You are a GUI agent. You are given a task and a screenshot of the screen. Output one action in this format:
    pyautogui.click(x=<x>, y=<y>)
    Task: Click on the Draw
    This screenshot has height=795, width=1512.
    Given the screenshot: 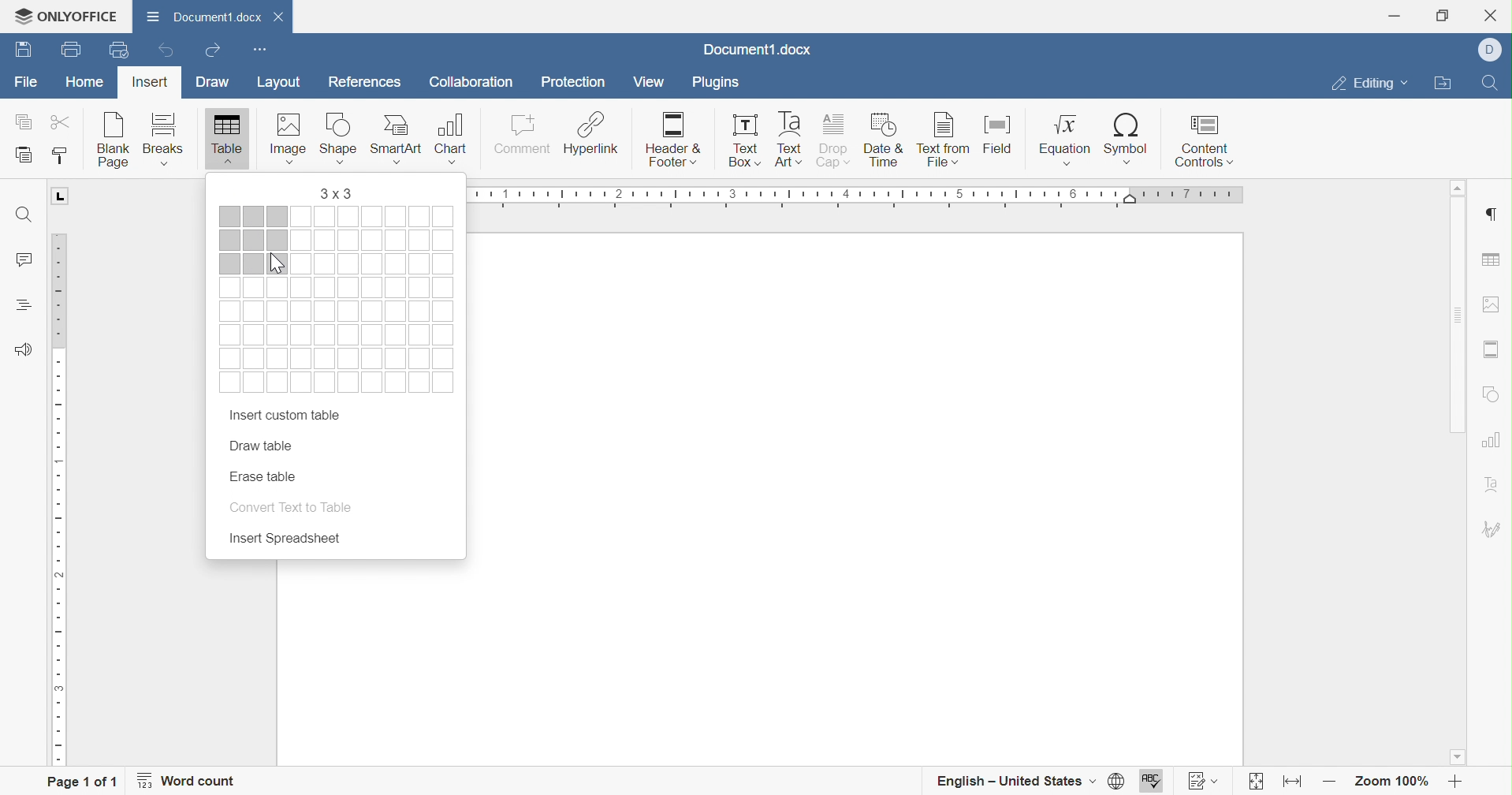 What is the action you would take?
    pyautogui.click(x=212, y=84)
    